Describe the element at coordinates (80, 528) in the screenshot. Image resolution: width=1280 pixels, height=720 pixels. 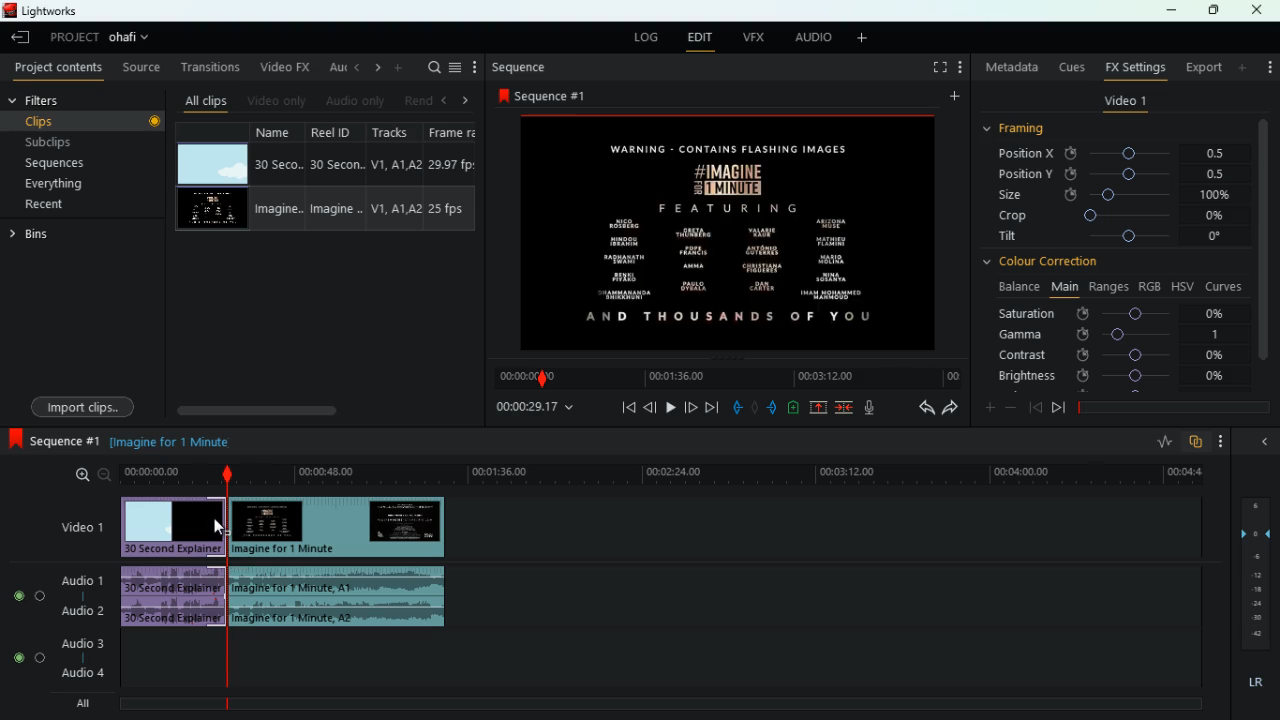
I see `video 1` at that location.